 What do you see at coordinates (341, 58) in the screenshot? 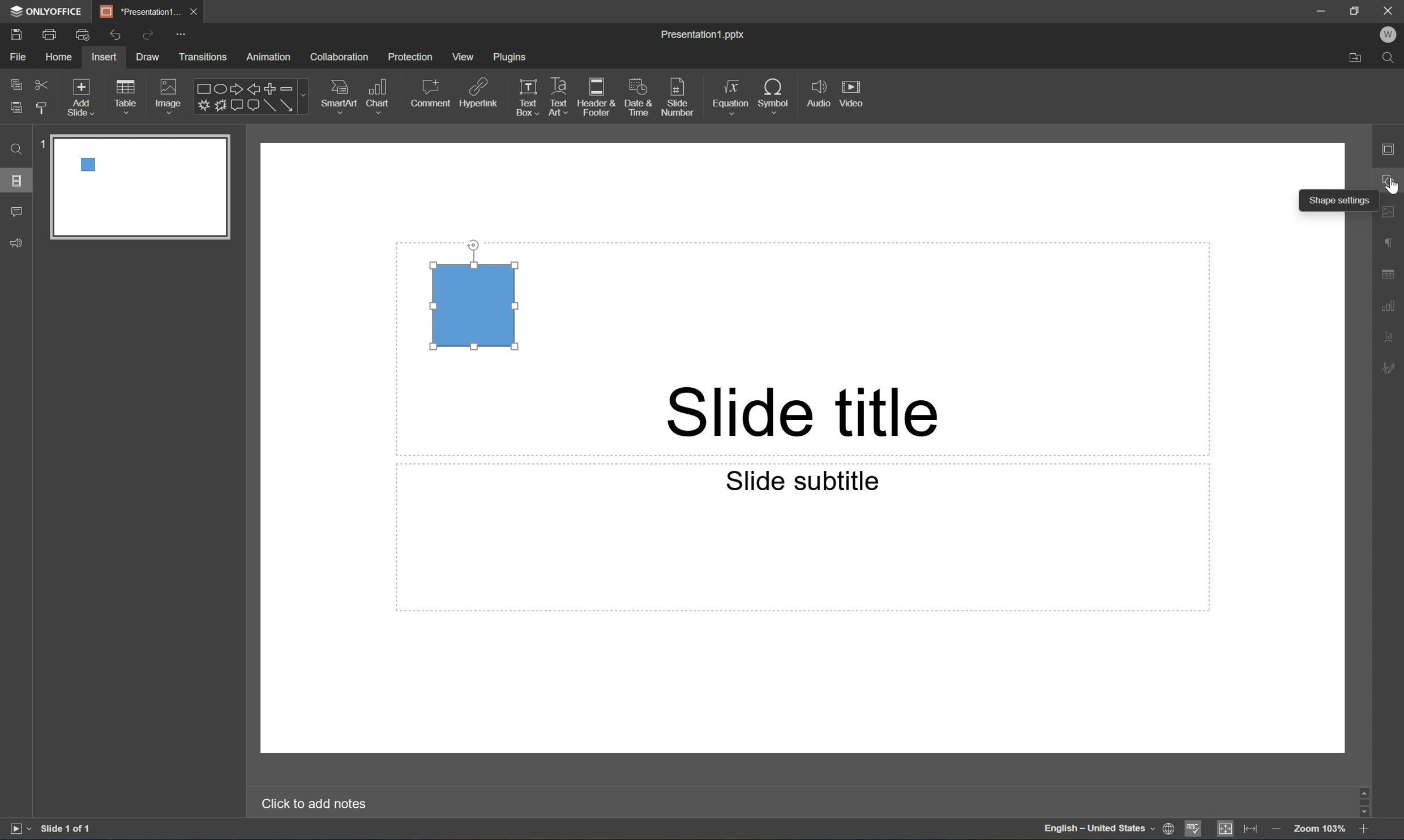
I see `Collaboration` at bounding box center [341, 58].